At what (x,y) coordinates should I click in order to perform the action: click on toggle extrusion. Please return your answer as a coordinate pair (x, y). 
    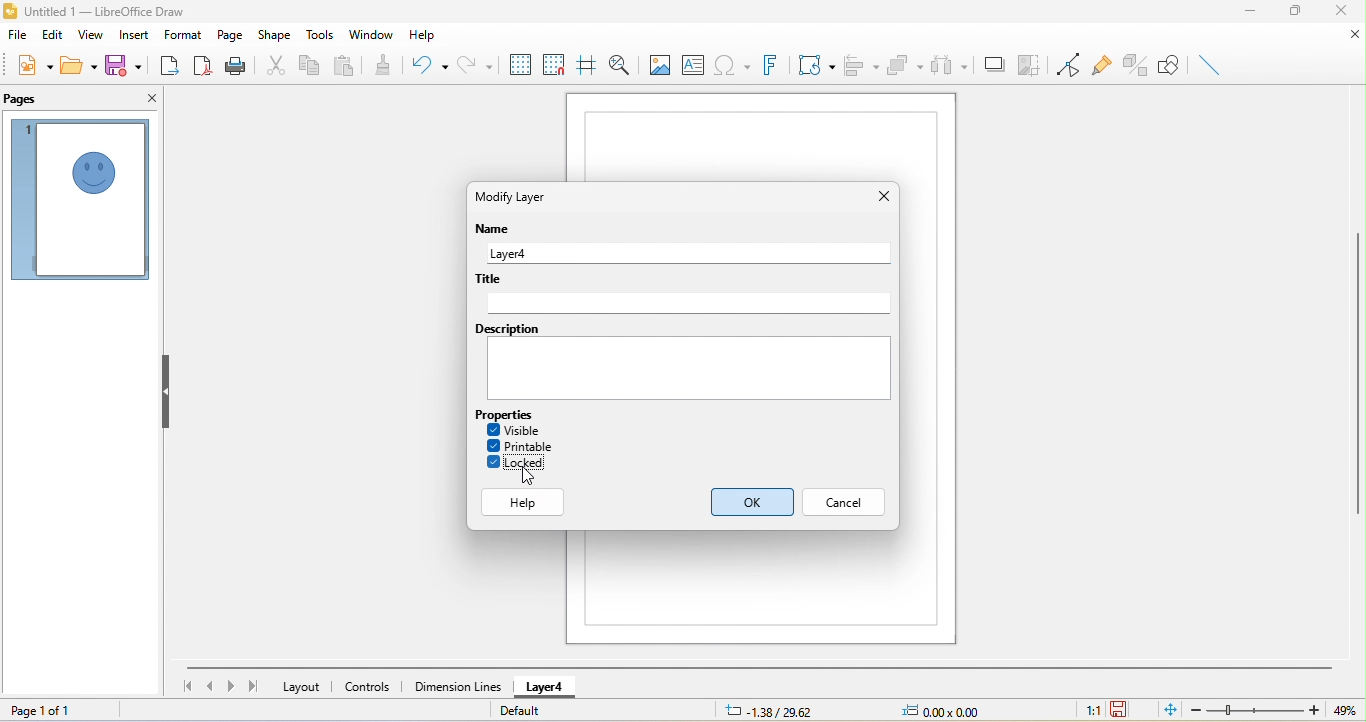
    Looking at the image, I should click on (1135, 65).